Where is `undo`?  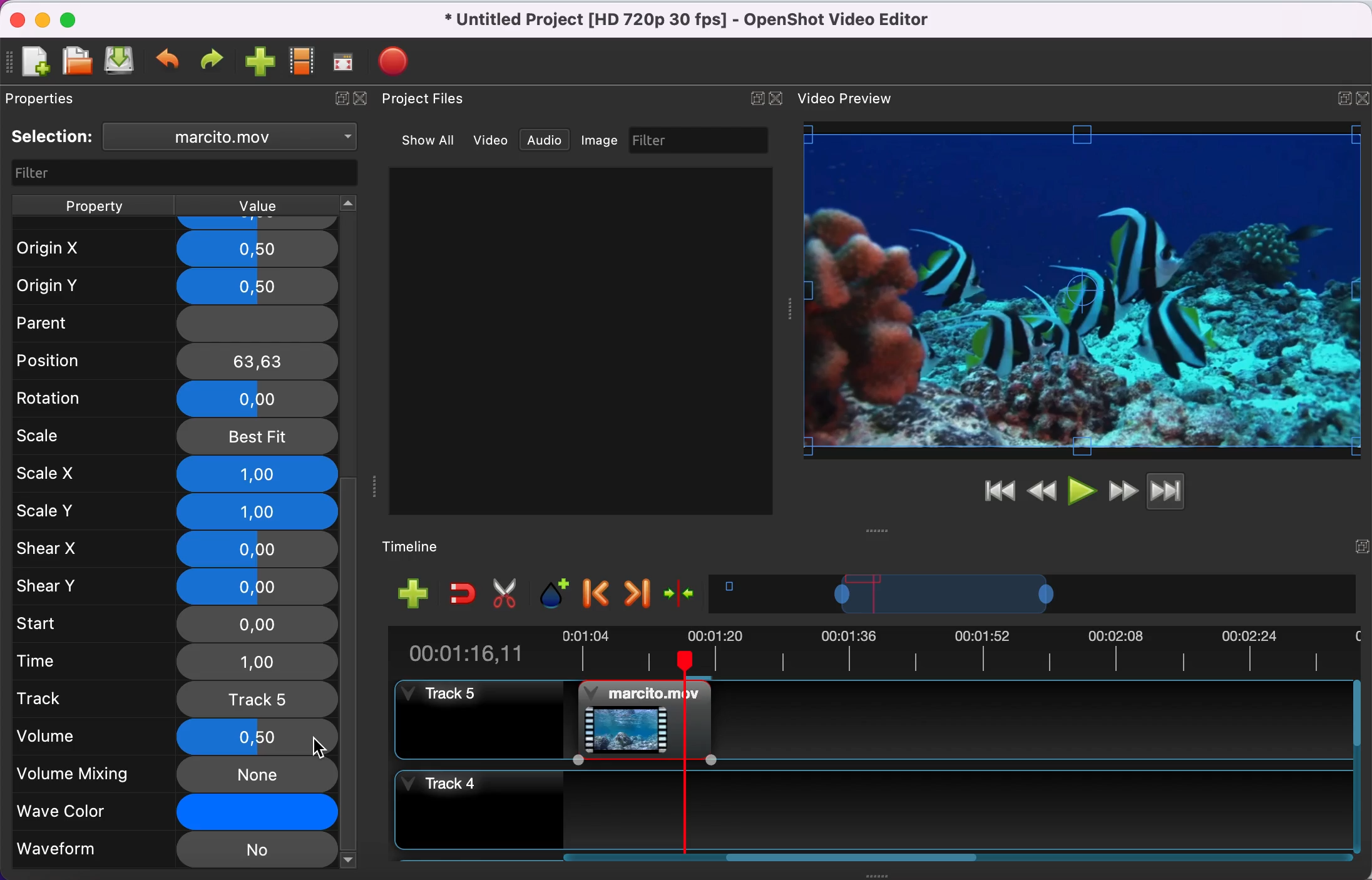 undo is located at coordinates (170, 62).